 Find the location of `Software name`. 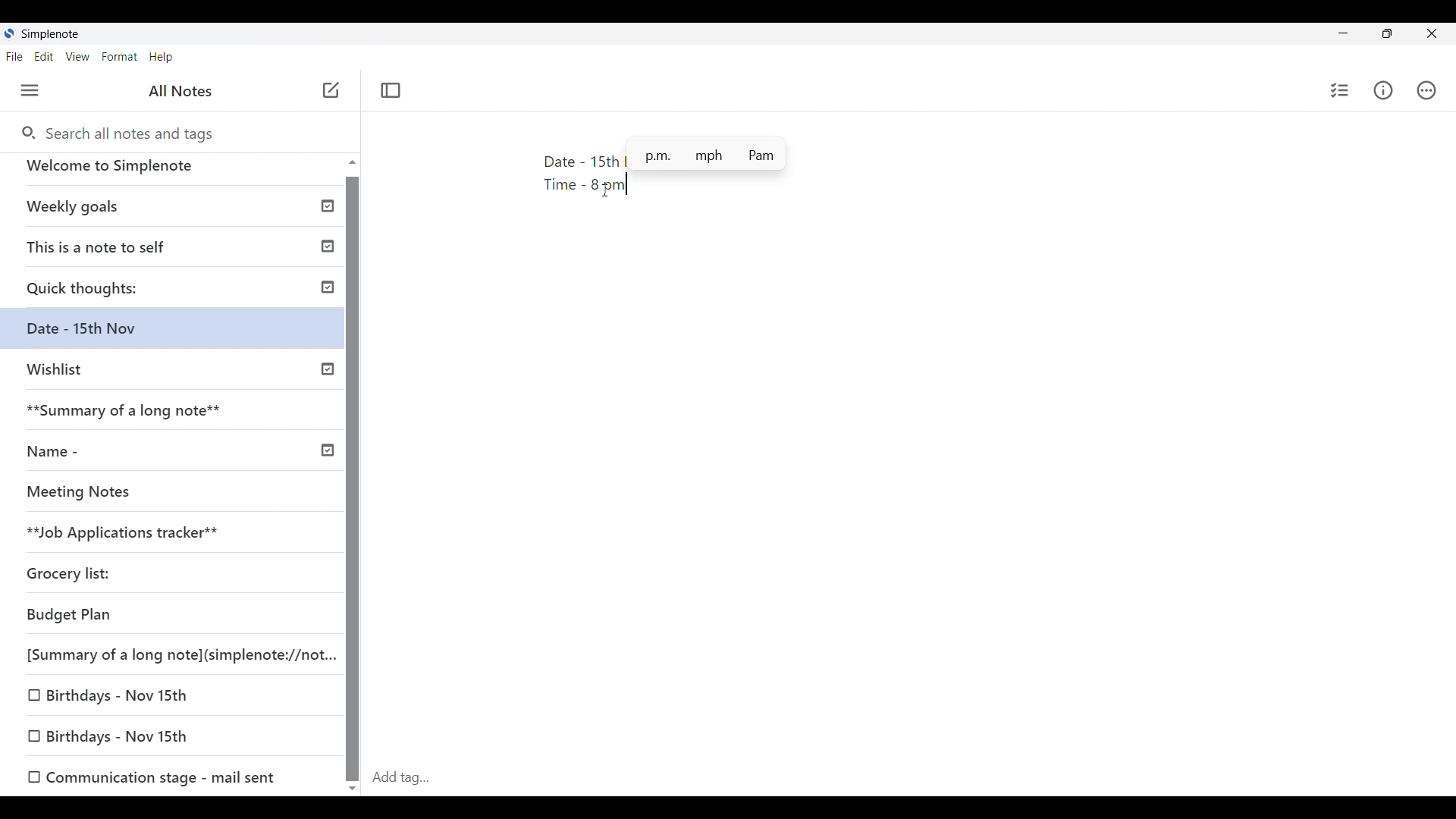

Software name is located at coordinates (50, 34).